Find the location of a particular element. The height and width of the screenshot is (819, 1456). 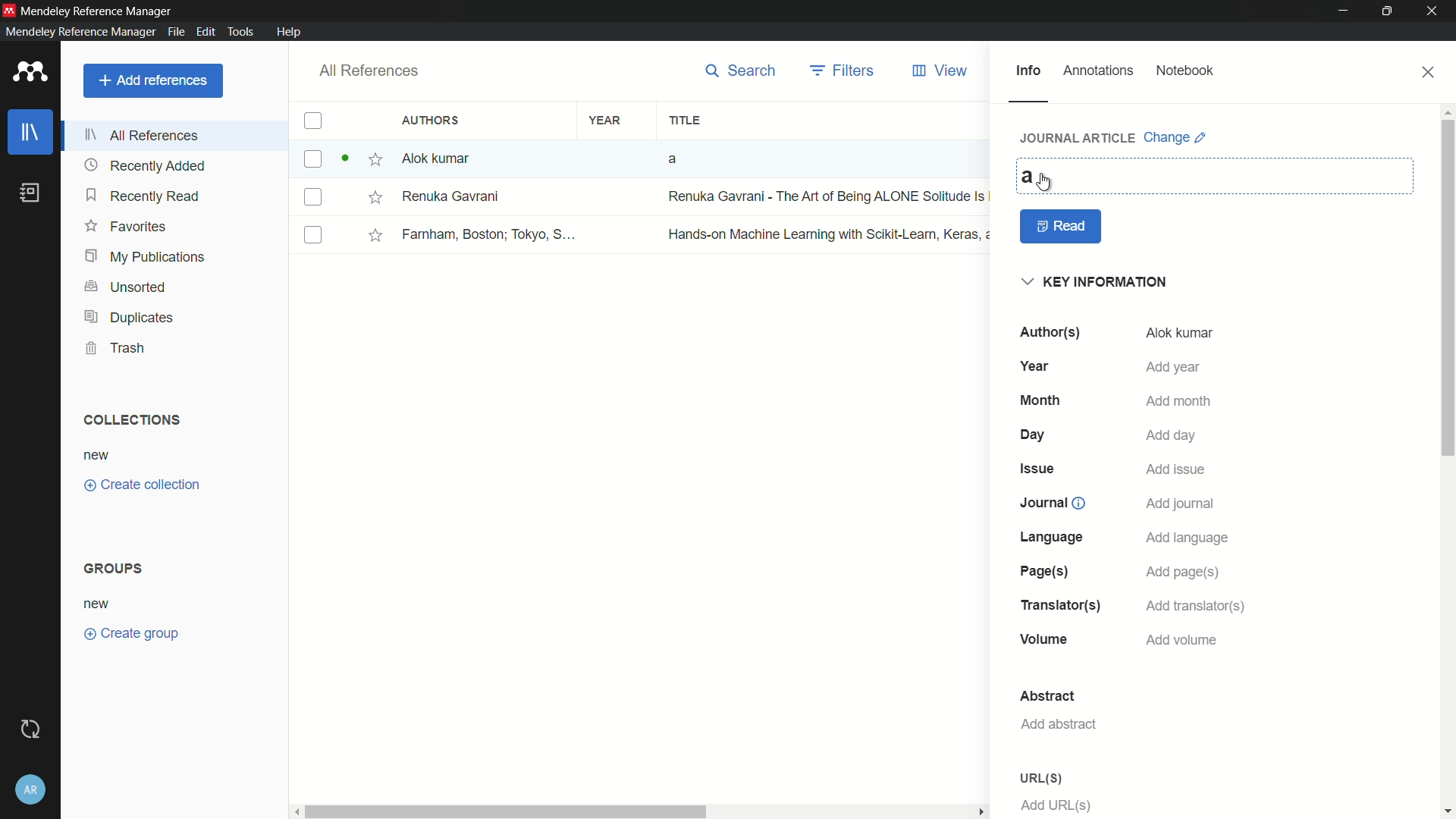

abstract is located at coordinates (1047, 696).